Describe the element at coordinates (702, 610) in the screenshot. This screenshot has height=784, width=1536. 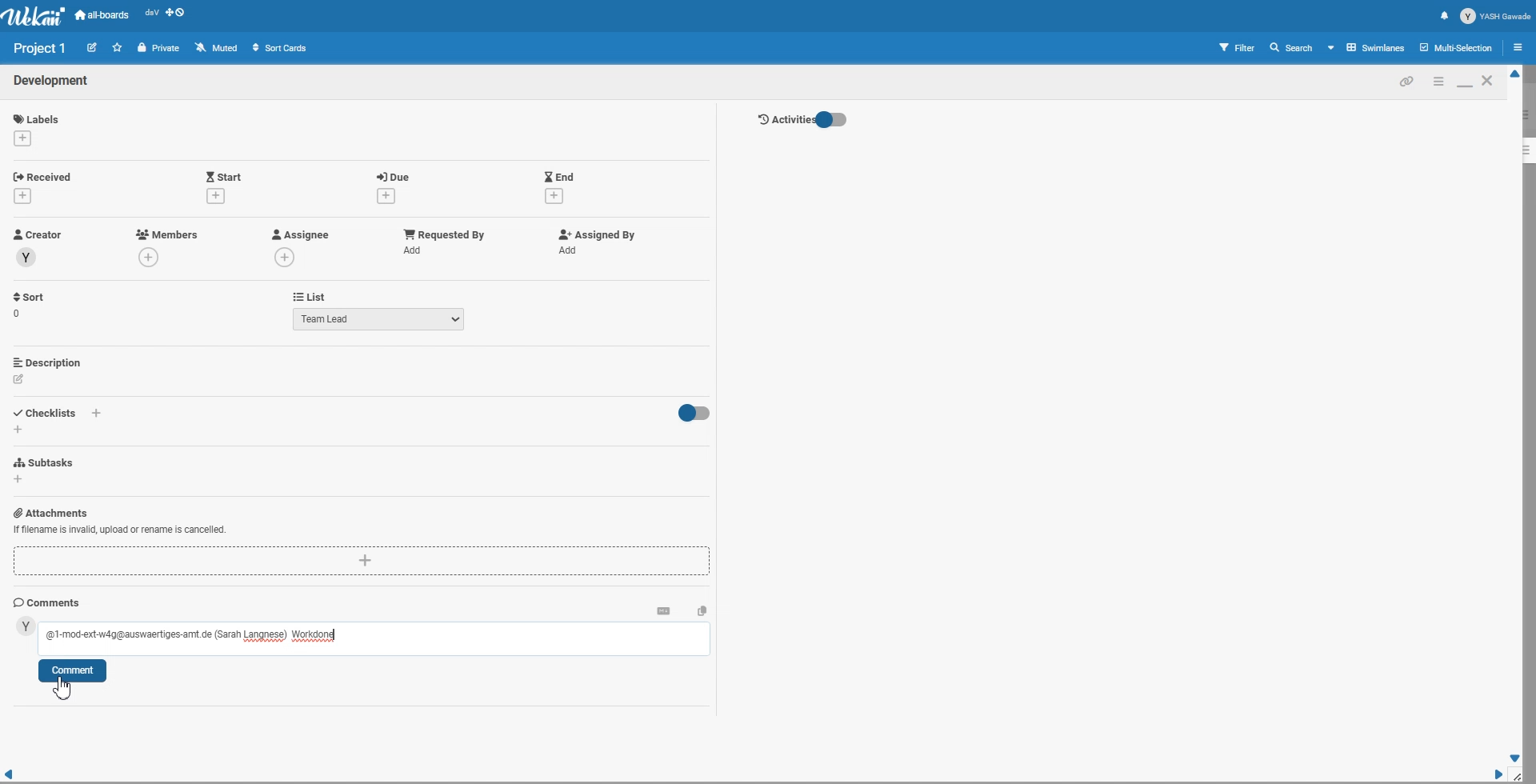
I see `Copy text to clipboard` at that location.